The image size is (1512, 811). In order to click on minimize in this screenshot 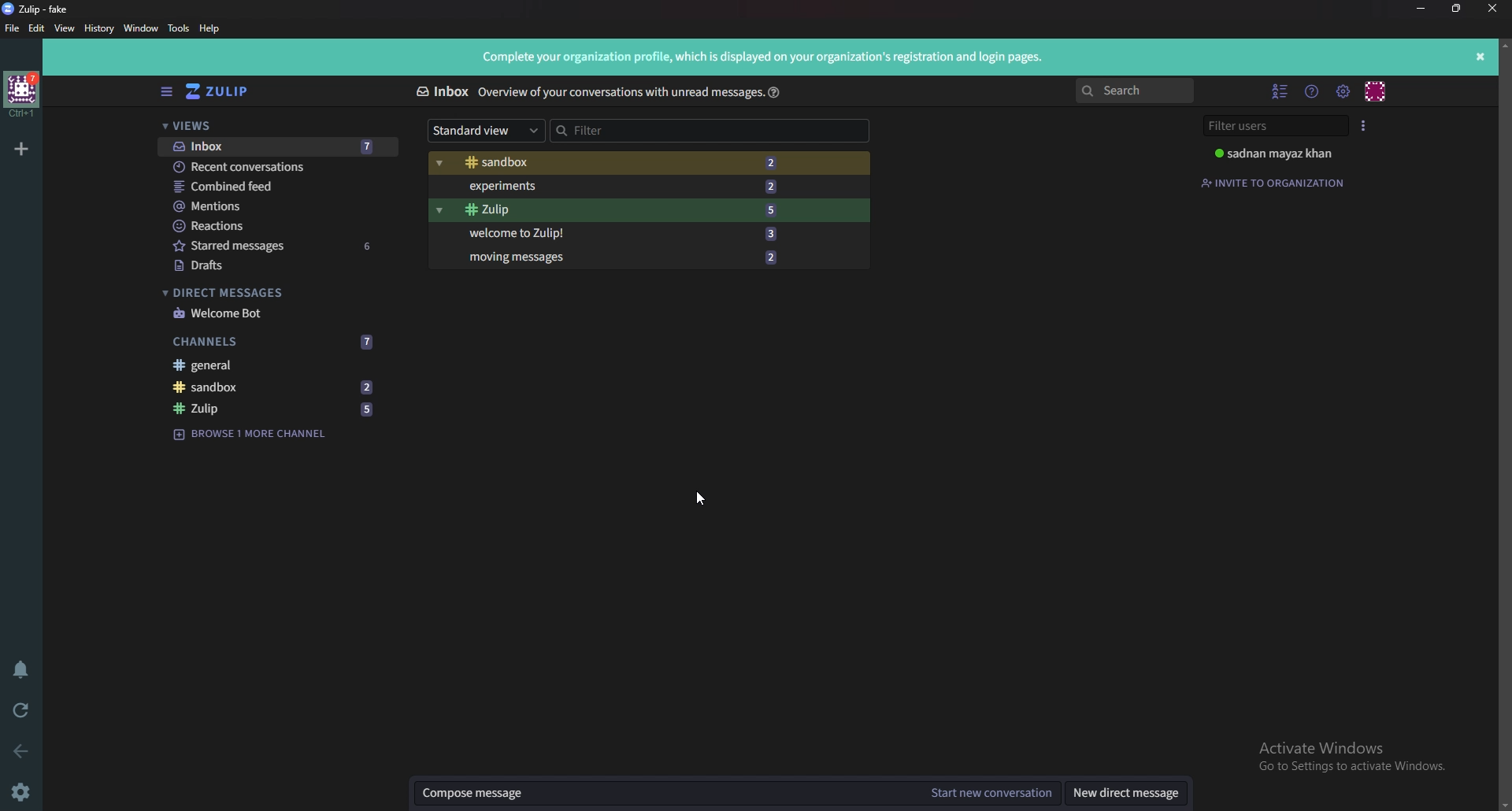, I will do `click(1421, 8)`.